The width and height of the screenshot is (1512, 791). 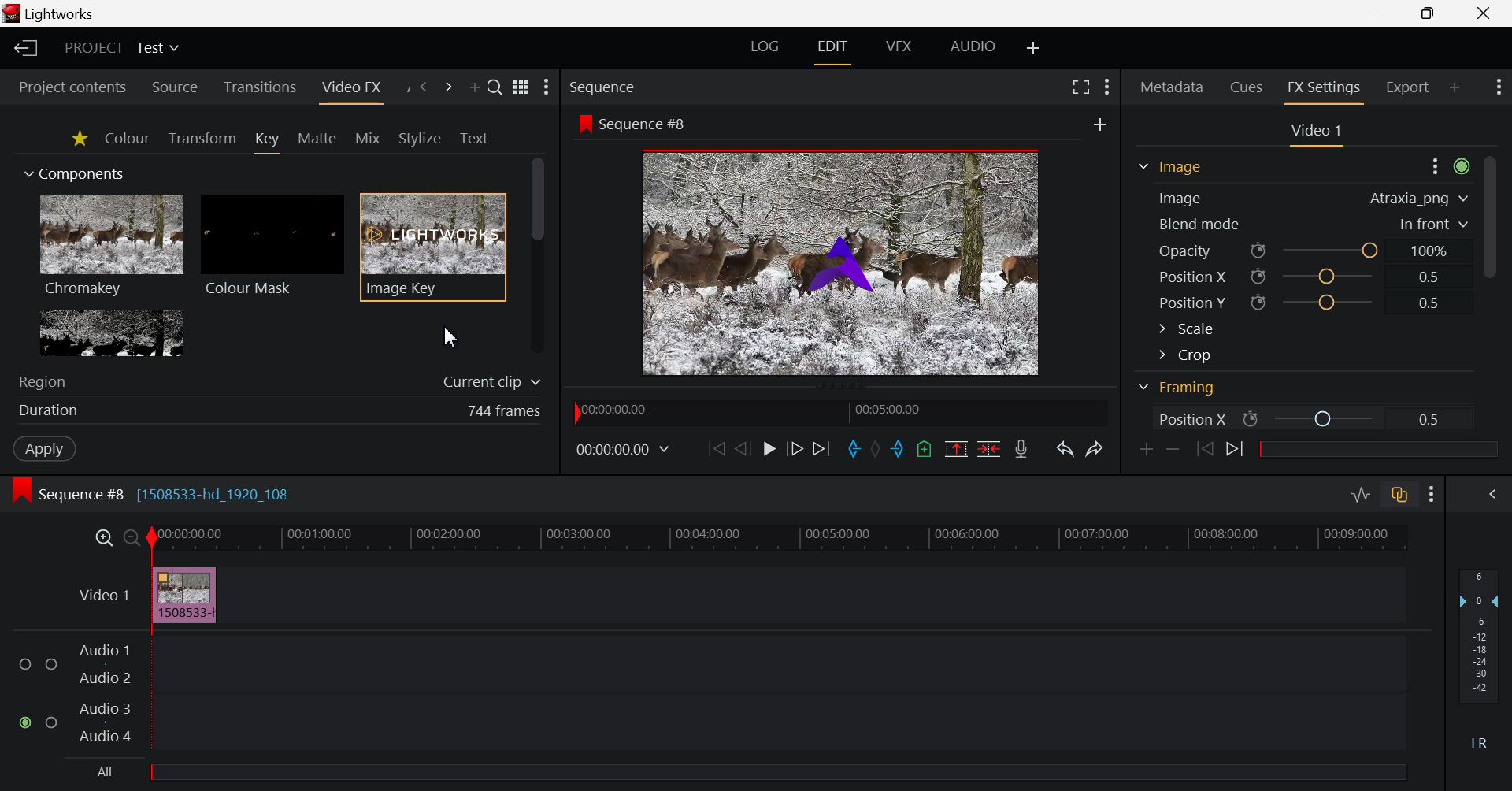 What do you see at coordinates (1190, 303) in the screenshot?
I see `Position Y` at bounding box center [1190, 303].